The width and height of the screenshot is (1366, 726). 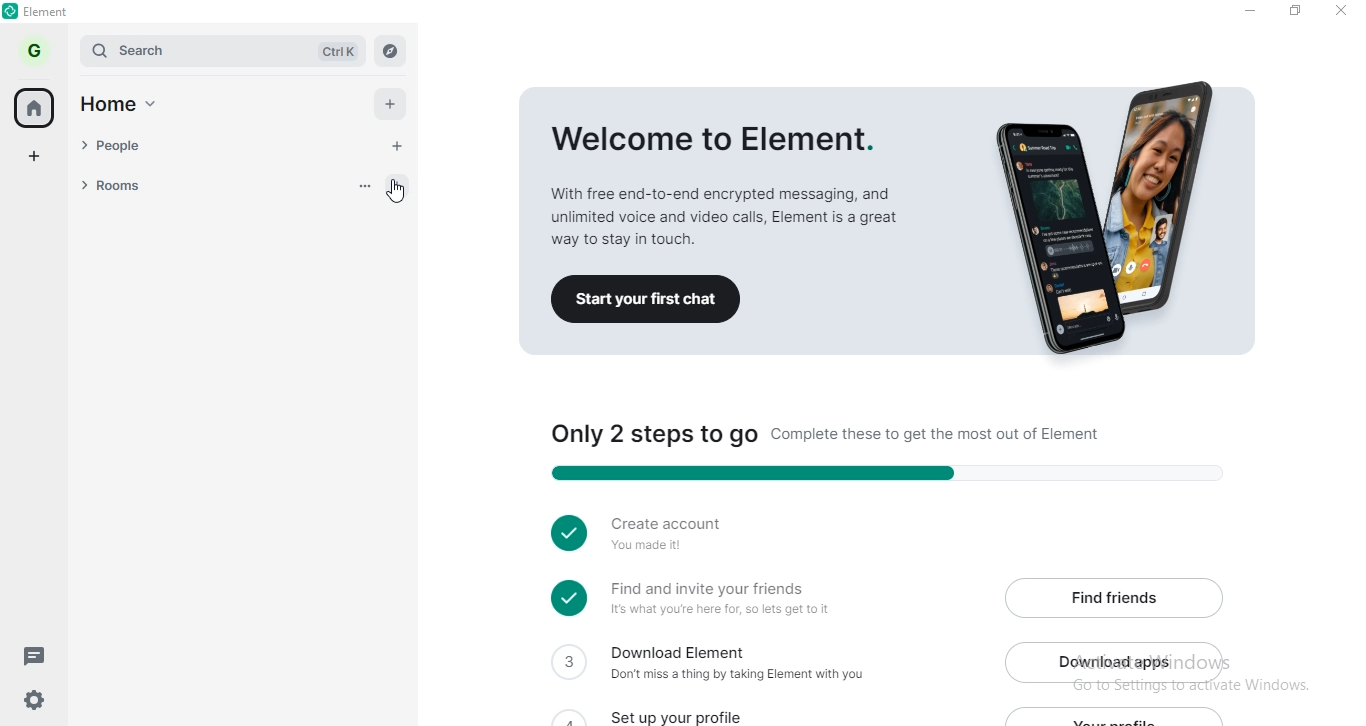 What do you see at coordinates (391, 49) in the screenshot?
I see `Explore rooms` at bounding box center [391, 49].